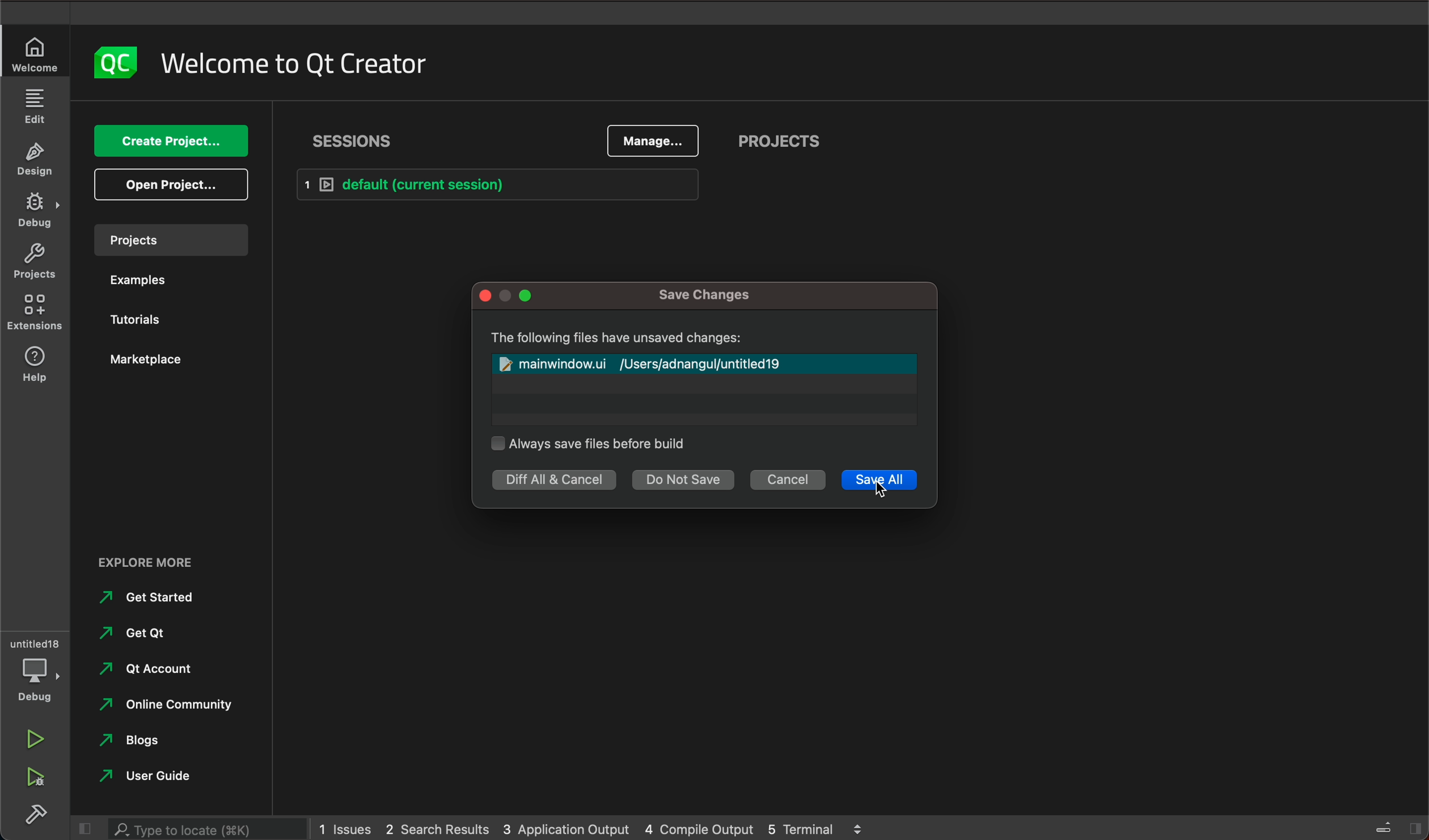  Describe the element at coordinates (208, 828) in the screenshot. I see `search` at that location.